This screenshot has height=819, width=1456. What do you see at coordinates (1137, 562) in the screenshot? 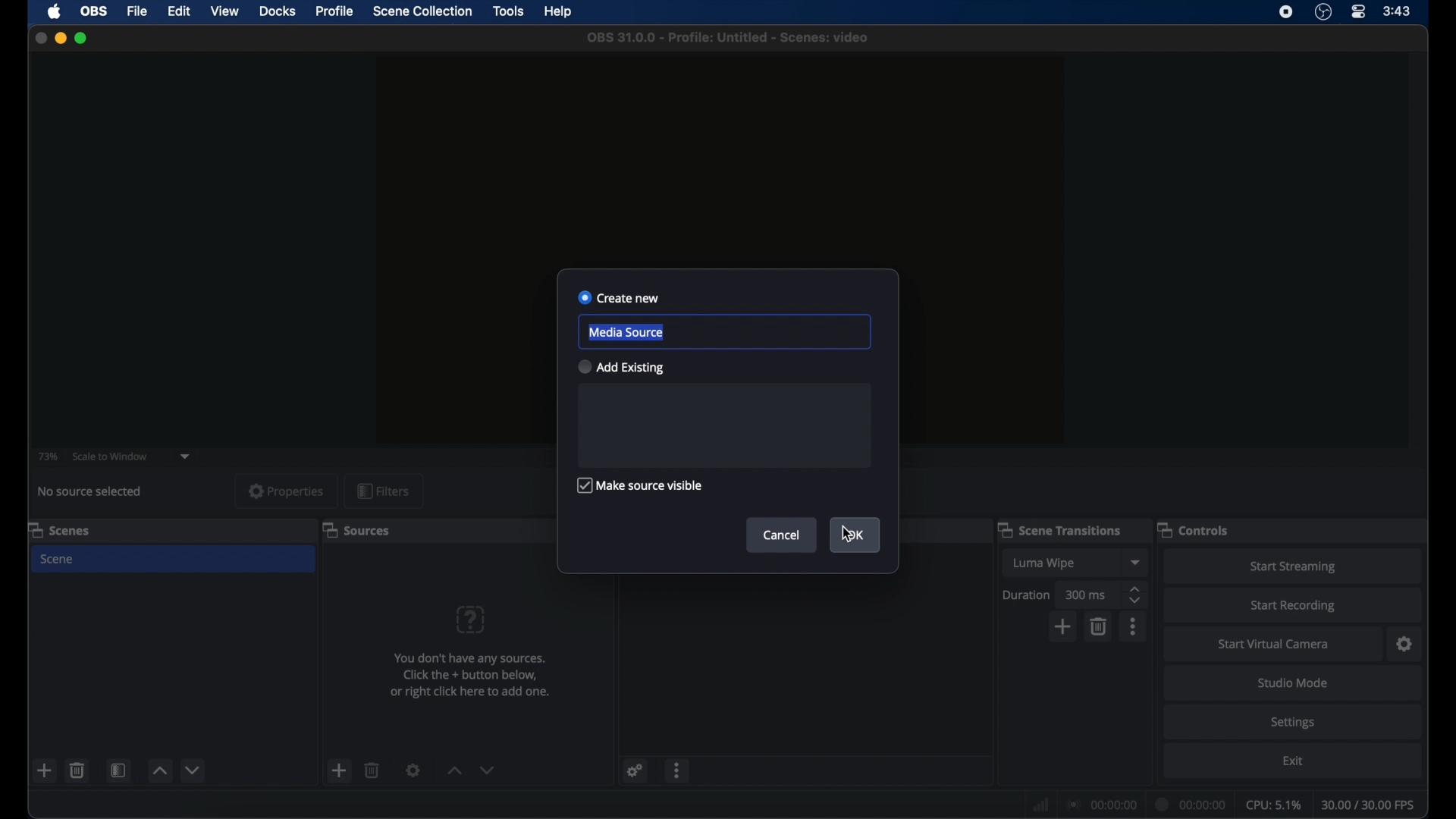
I see `dropdown` at bounding box center [1137, 562].